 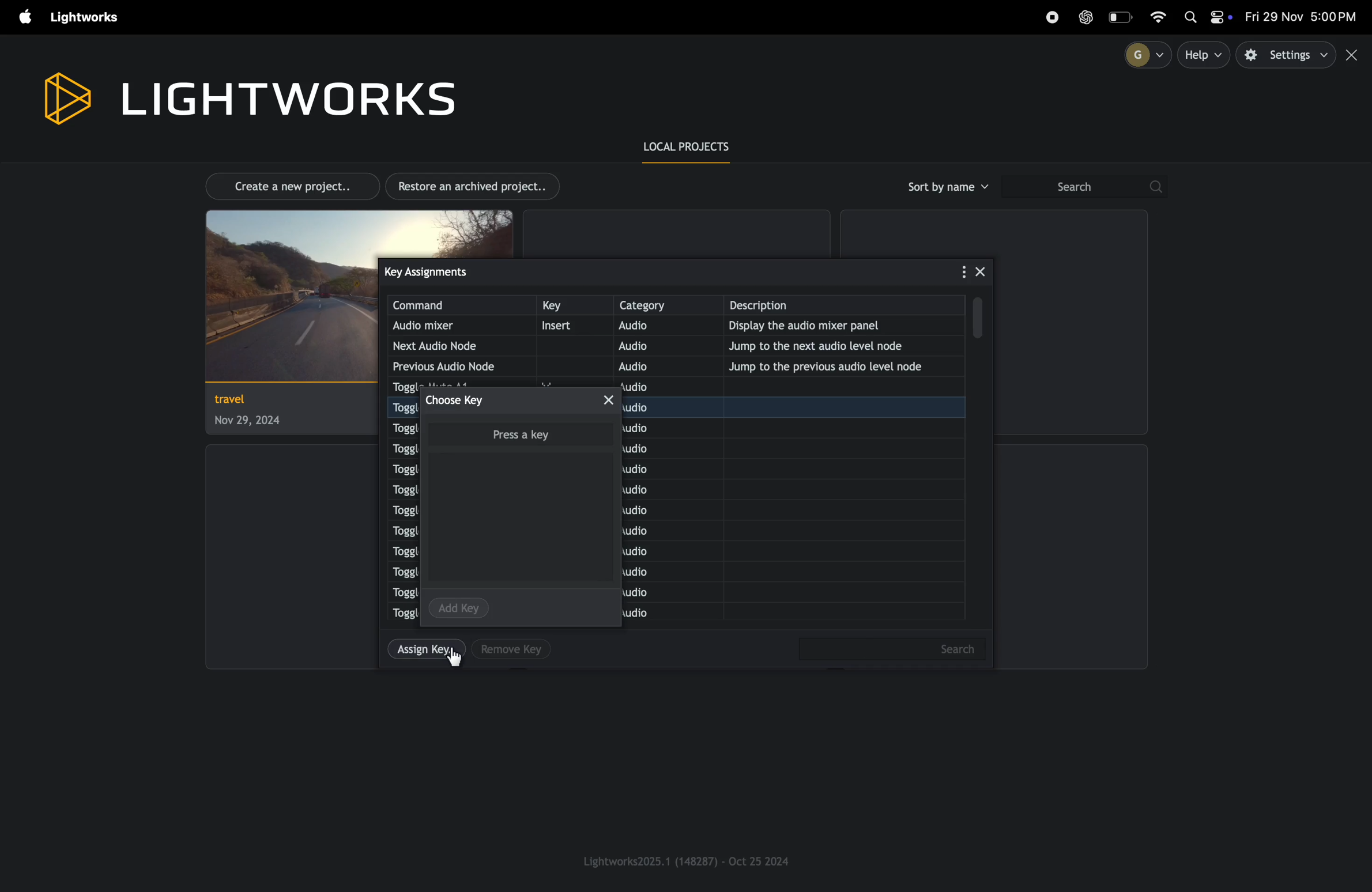 I want to click on options, so click(x=959, y=271).